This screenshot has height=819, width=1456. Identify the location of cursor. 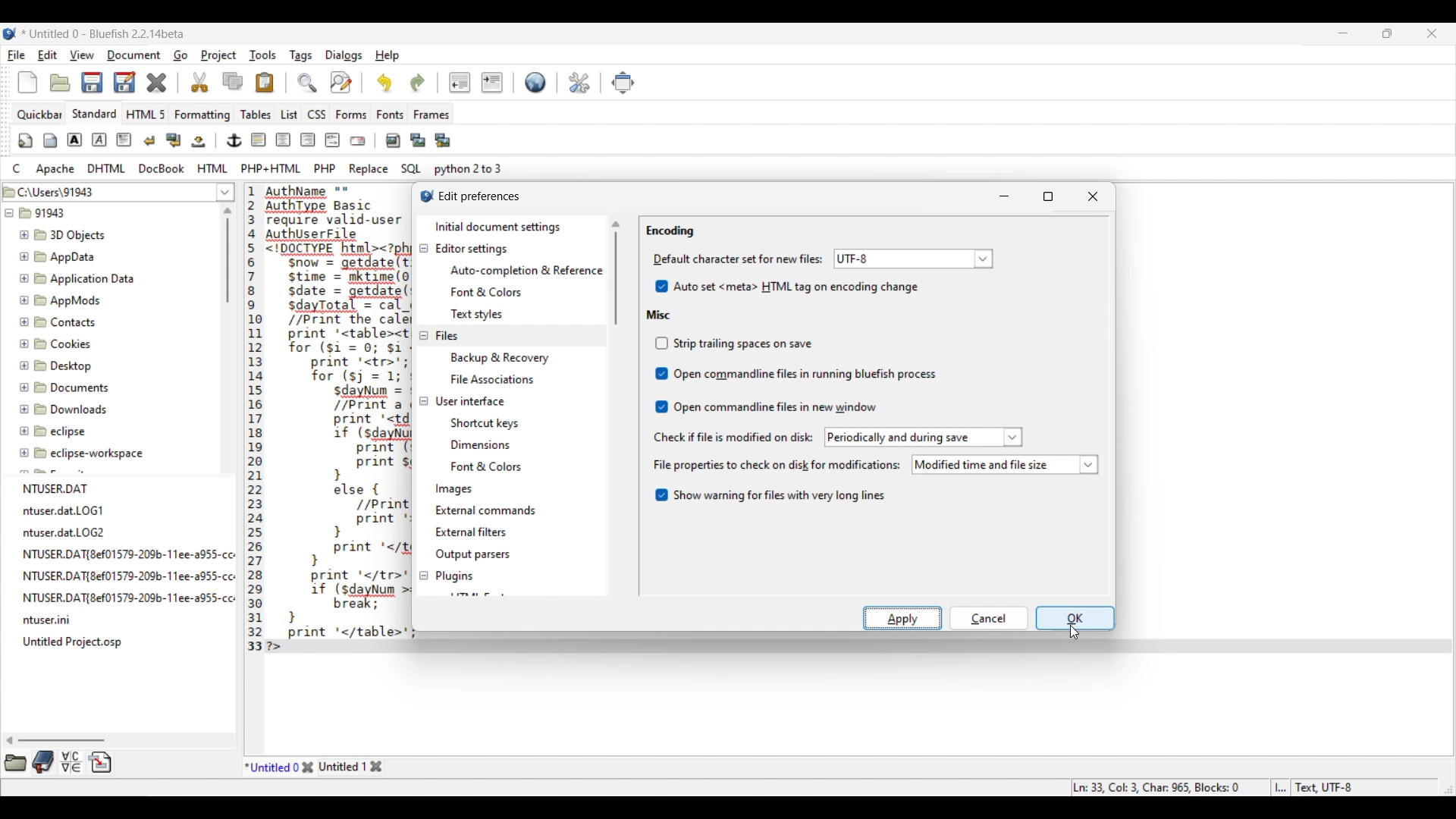
(1078, 633).